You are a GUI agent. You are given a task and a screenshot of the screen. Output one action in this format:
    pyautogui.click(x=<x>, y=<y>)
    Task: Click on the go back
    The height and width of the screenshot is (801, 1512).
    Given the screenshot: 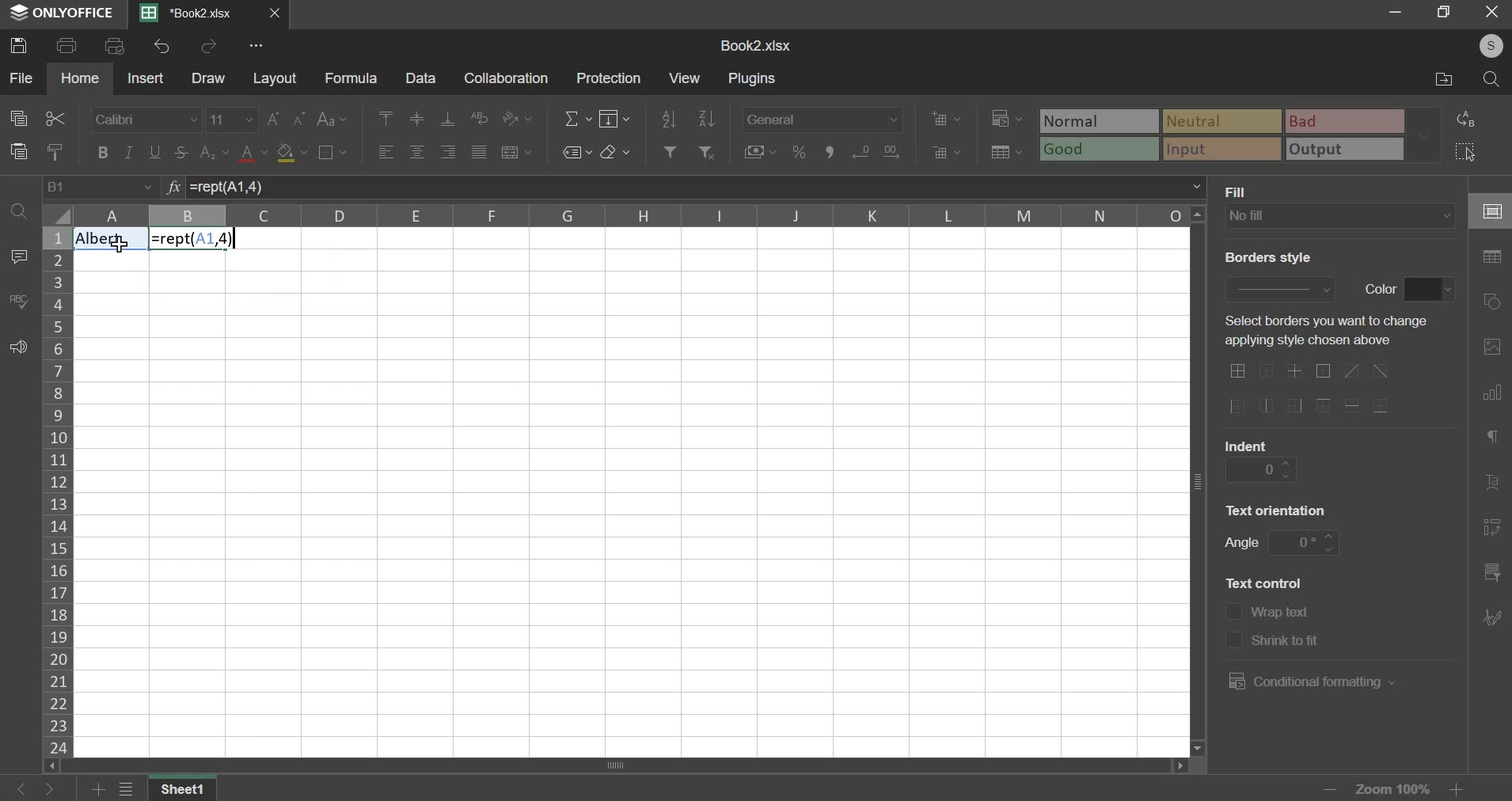 What is the action you would take?
    pyautogui.click(x=18, y=789)
    